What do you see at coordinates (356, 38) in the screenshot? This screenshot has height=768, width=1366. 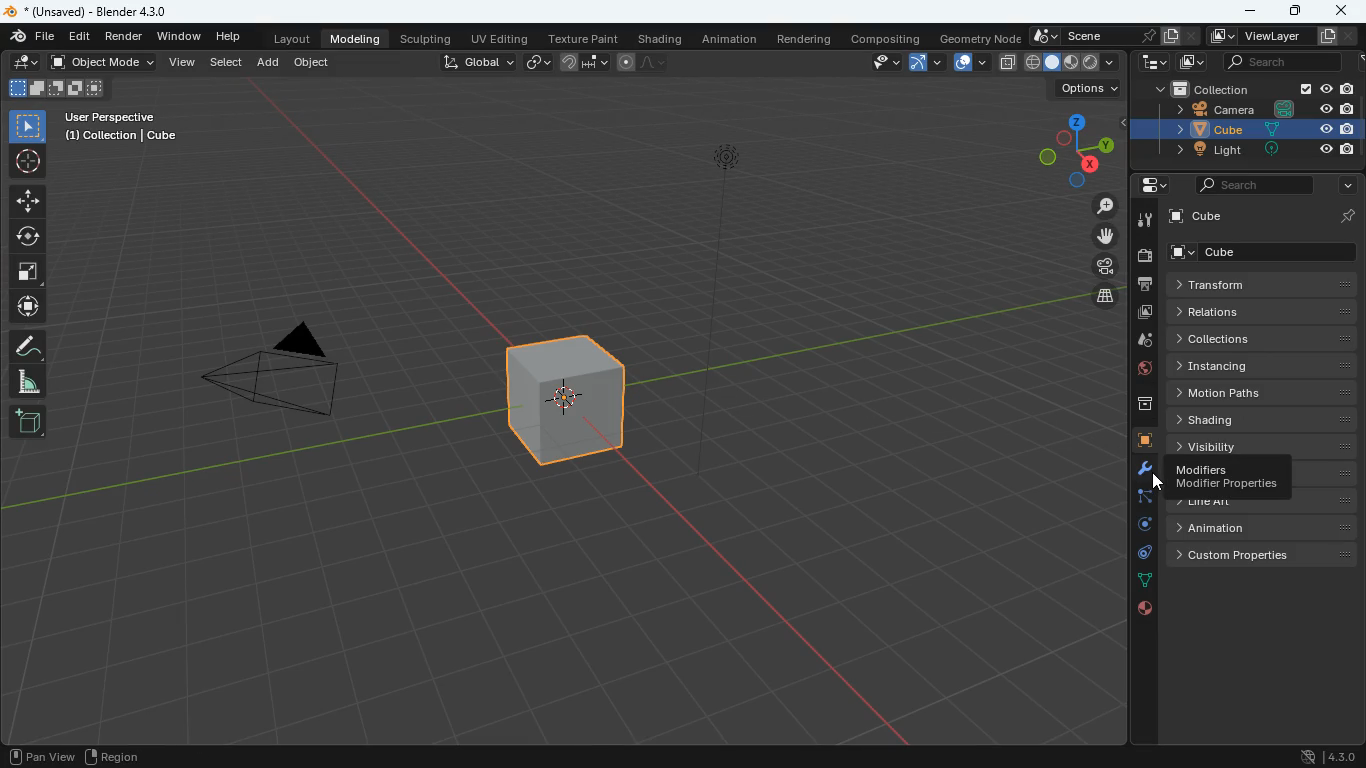 I see `modeling` at bounding box center [356, 38].